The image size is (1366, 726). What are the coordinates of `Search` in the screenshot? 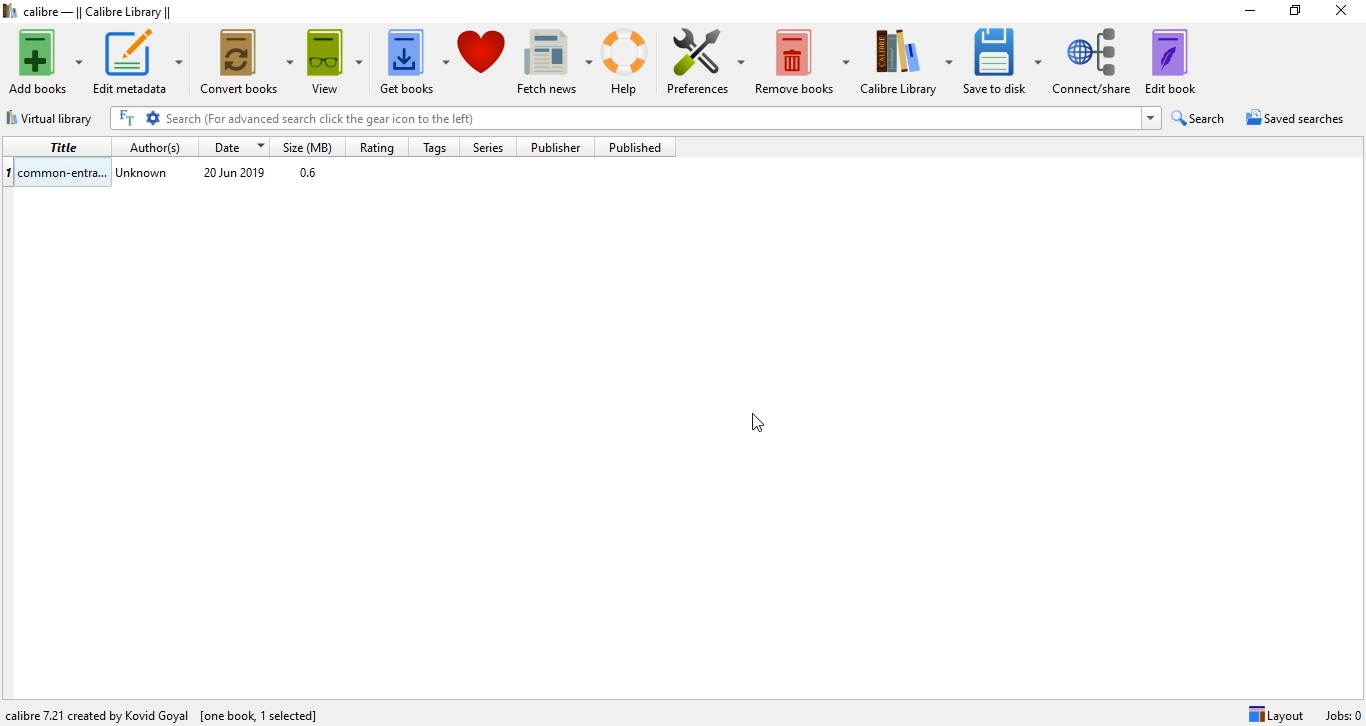 It's located at (1201, 118).